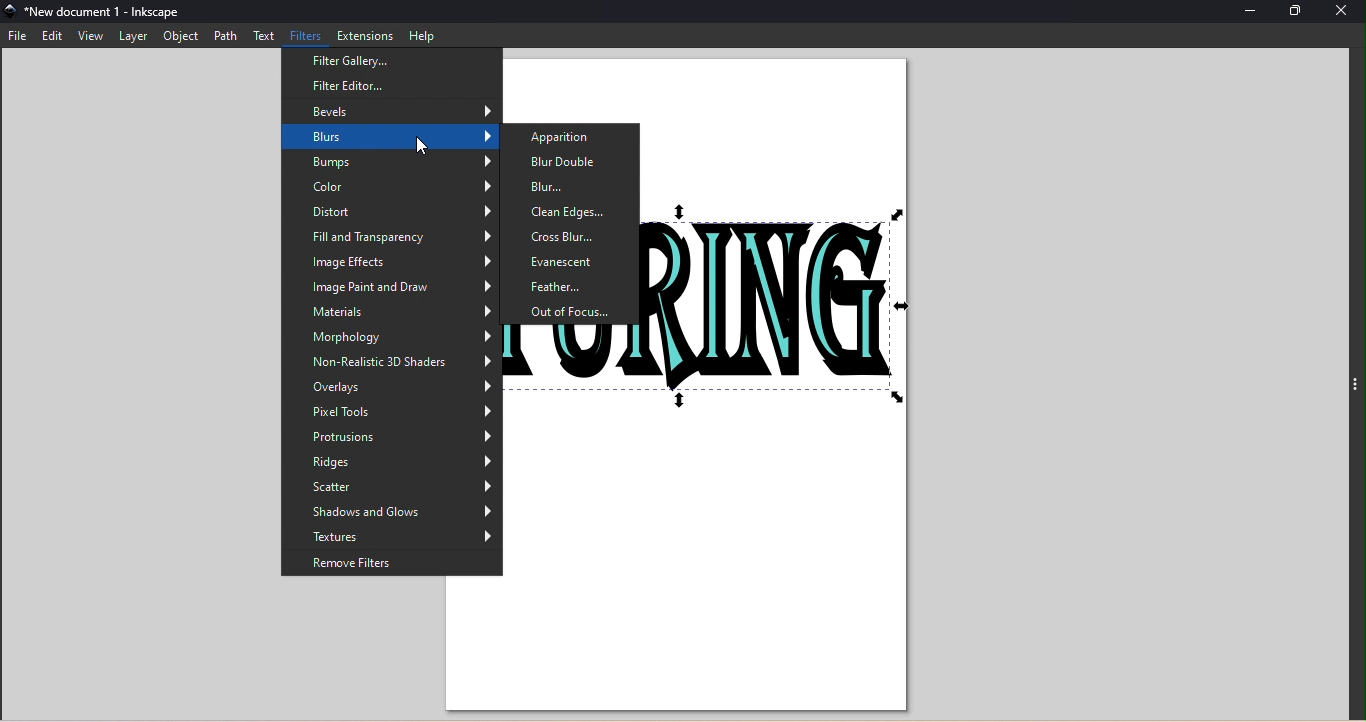 The image size is (1366, 722). I want to click on *New document 1 - Inkscape, so click(106, 12).